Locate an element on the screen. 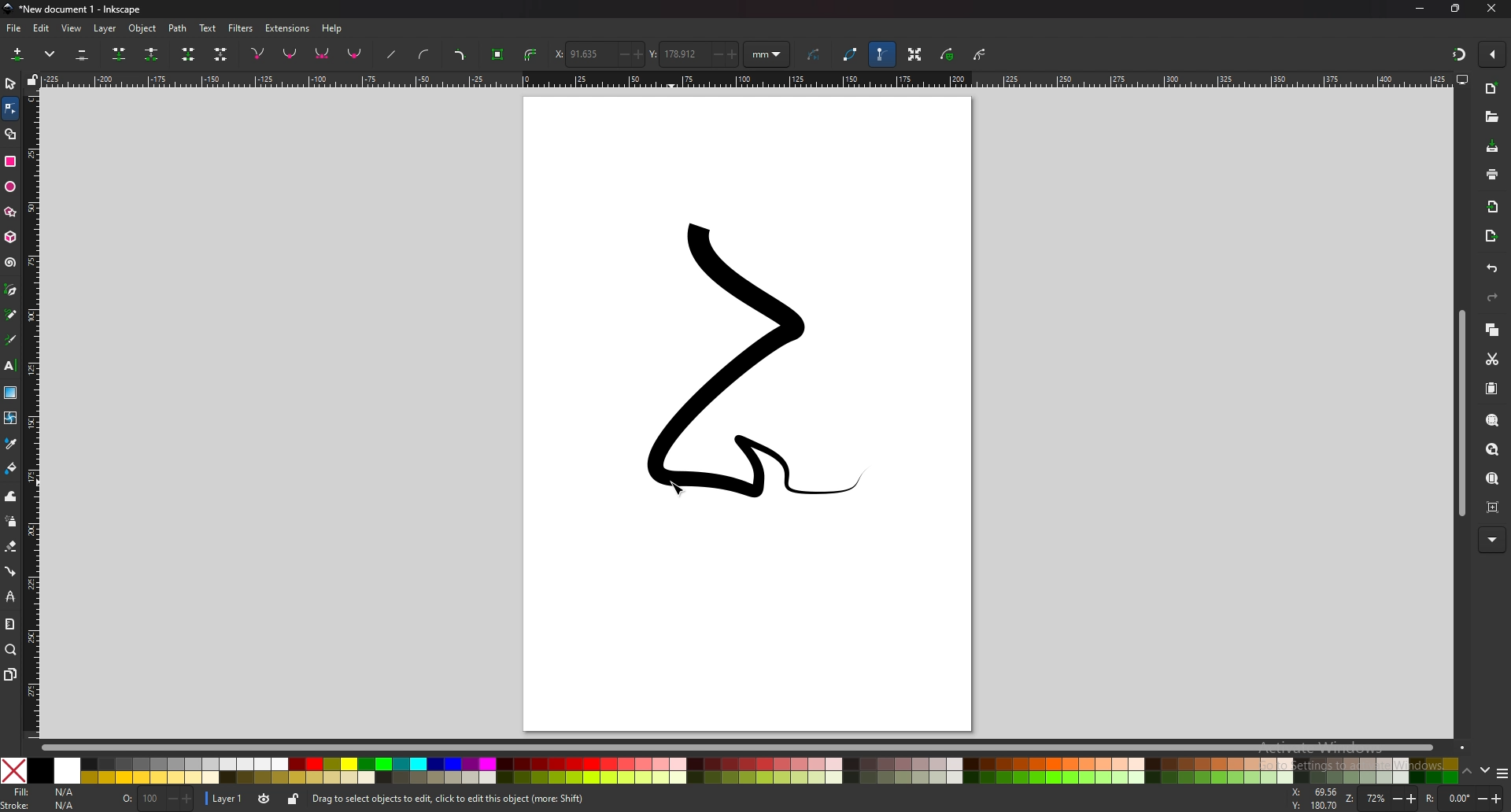  y coordinates is located at coordinates (693, 54).